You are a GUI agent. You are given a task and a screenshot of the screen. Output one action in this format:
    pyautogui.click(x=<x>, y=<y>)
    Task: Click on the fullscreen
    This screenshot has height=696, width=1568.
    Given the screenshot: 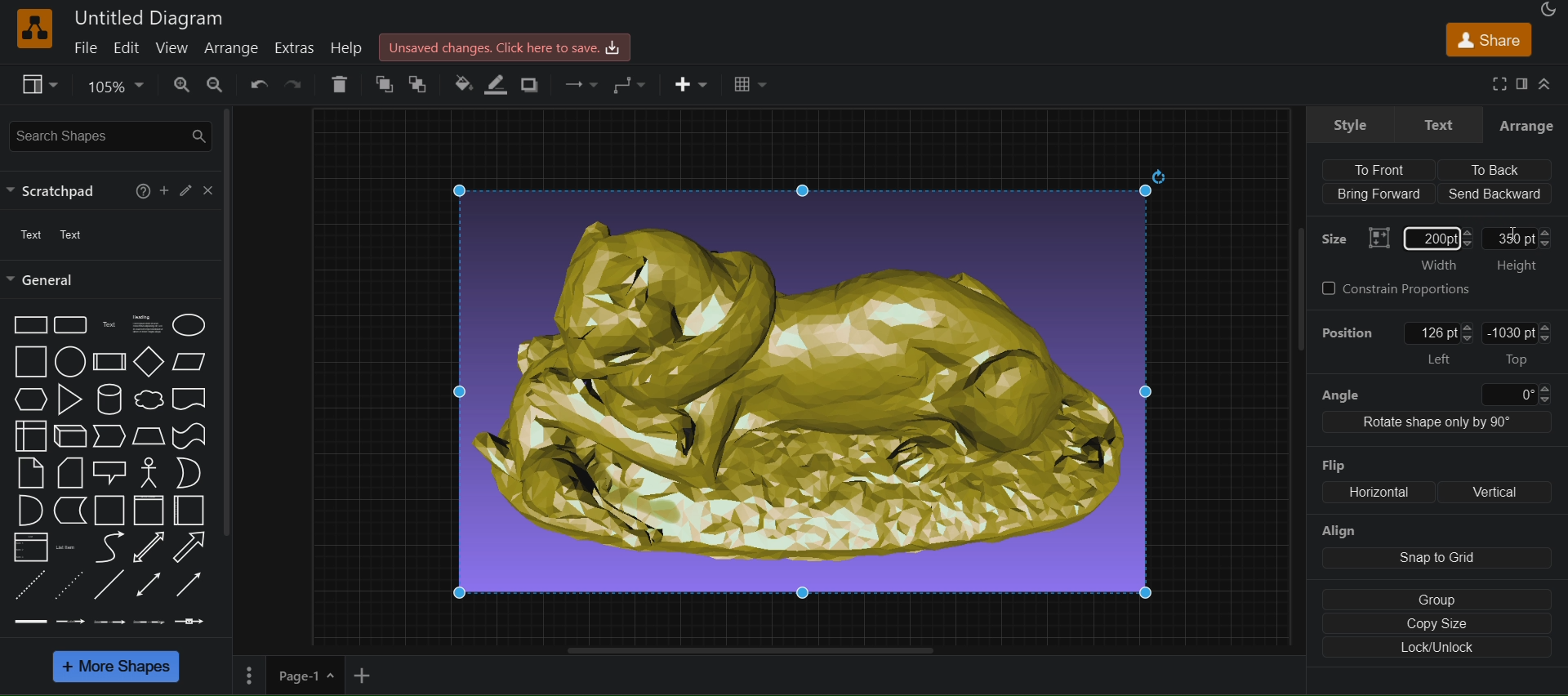 What is the action you would take?
    pyautogui.click(x=1499, y=84)
    